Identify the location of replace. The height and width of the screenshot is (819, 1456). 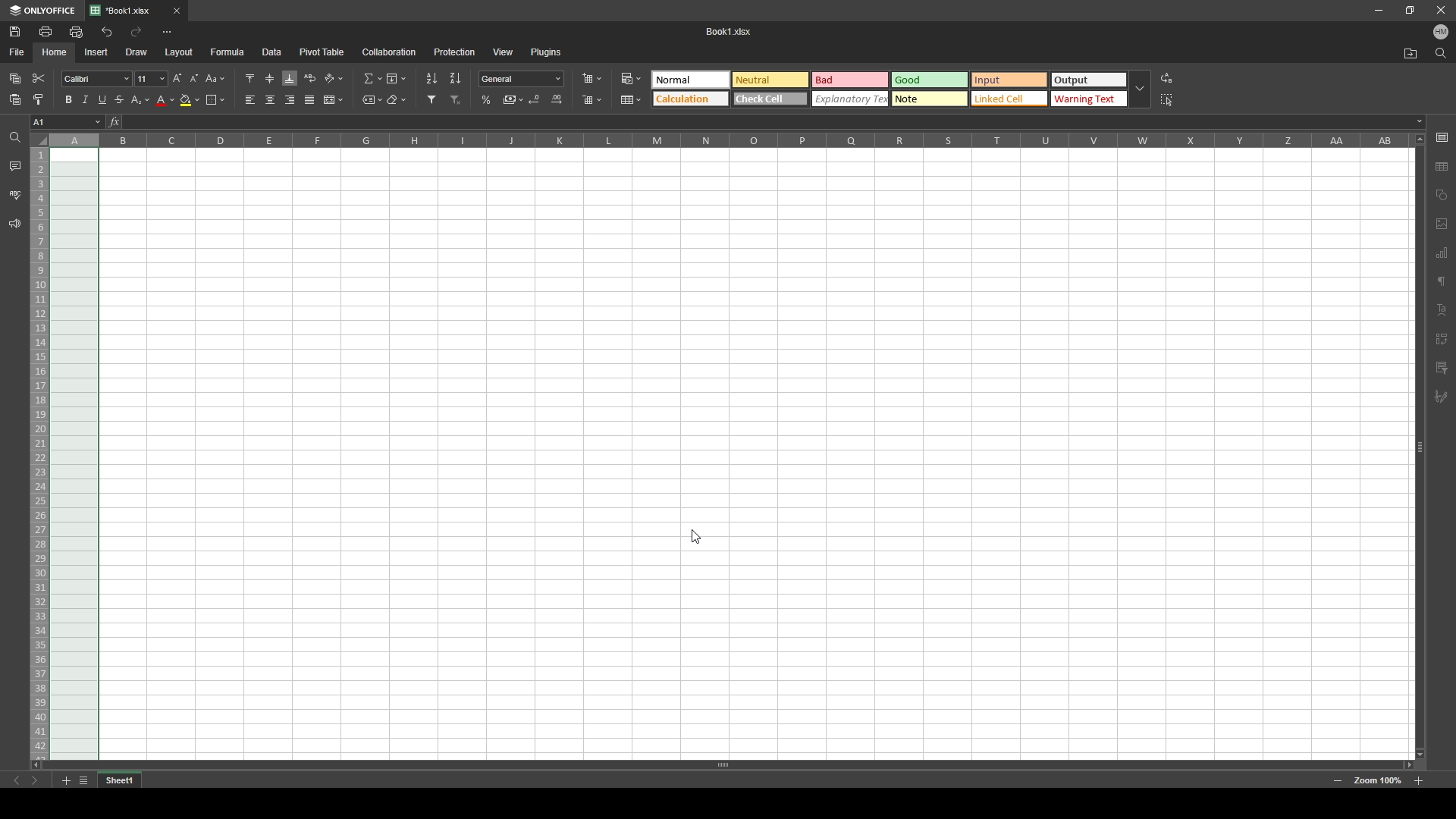
(1168, 79).